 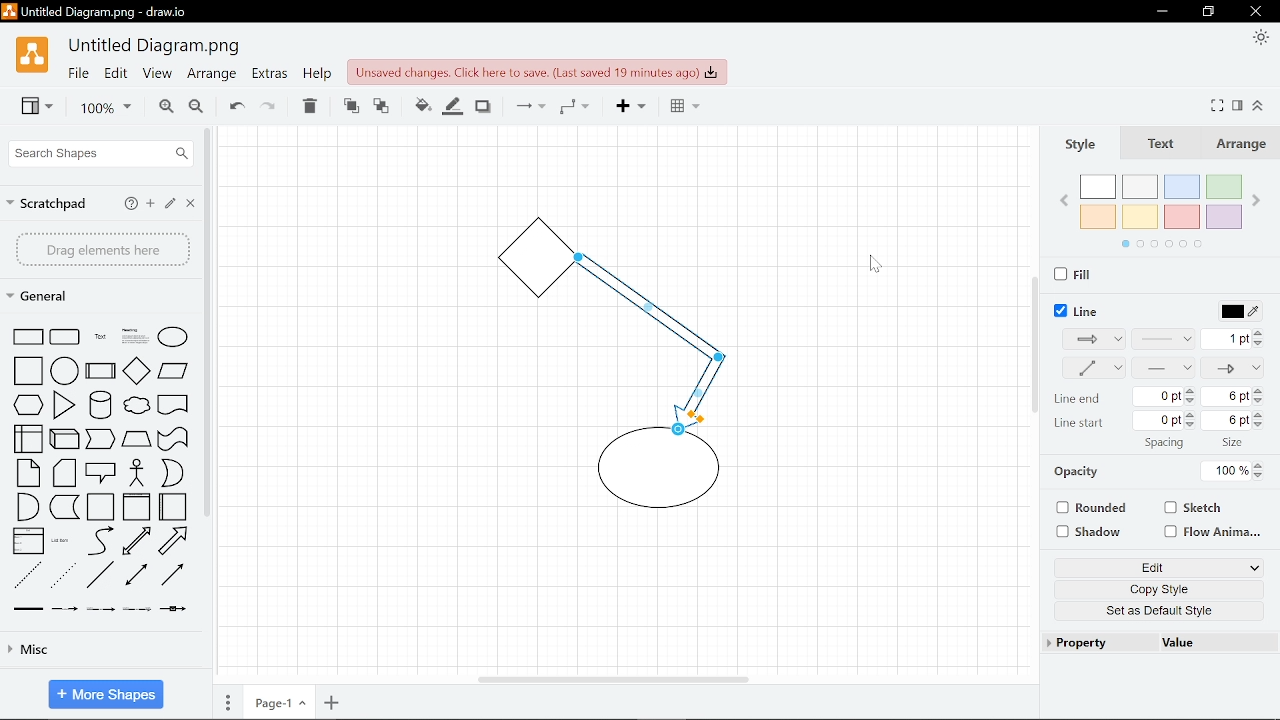 I want to click on minimize, so click(x=1211, y=12).